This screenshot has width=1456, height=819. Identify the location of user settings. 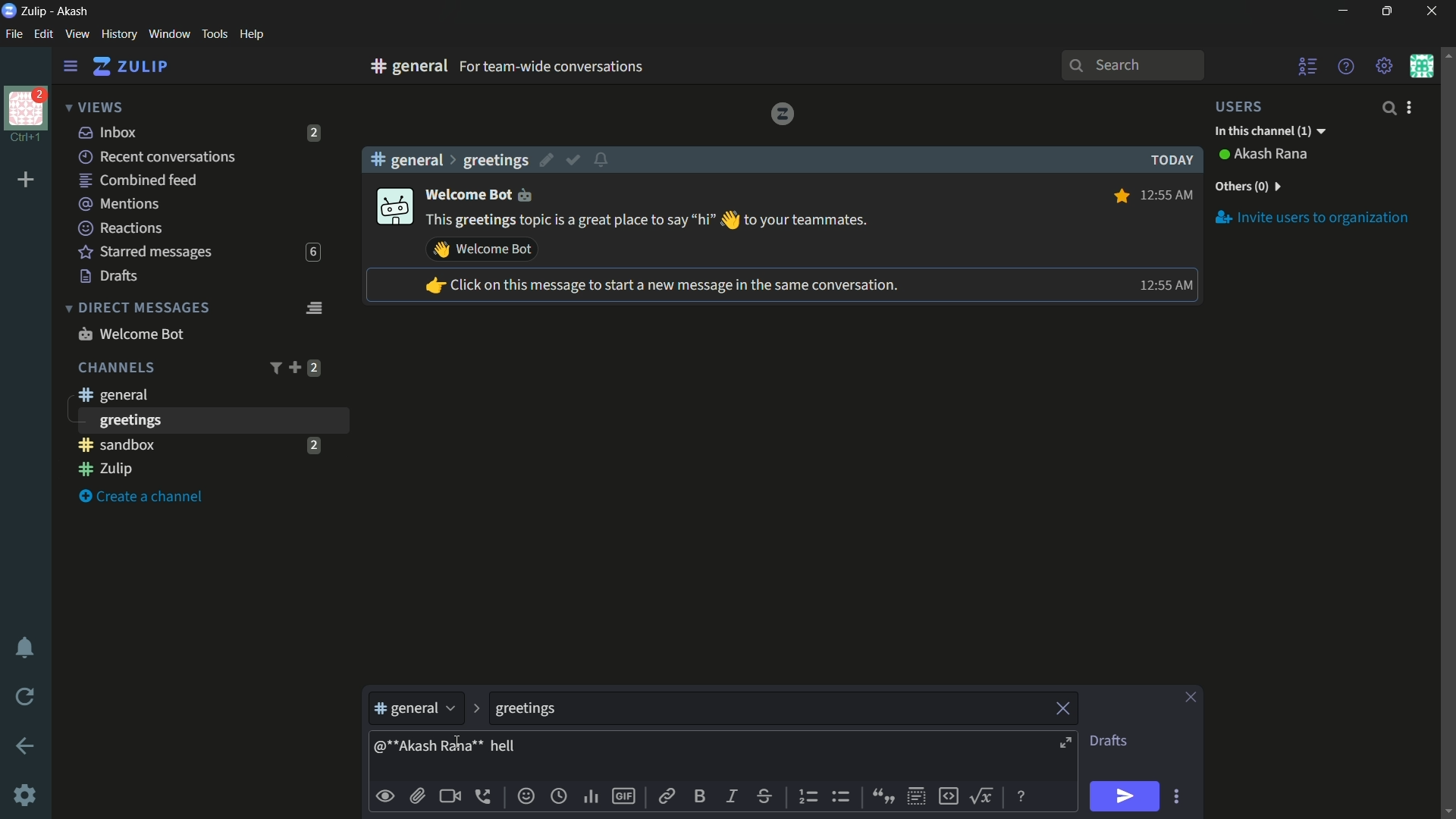
(1412, 107).